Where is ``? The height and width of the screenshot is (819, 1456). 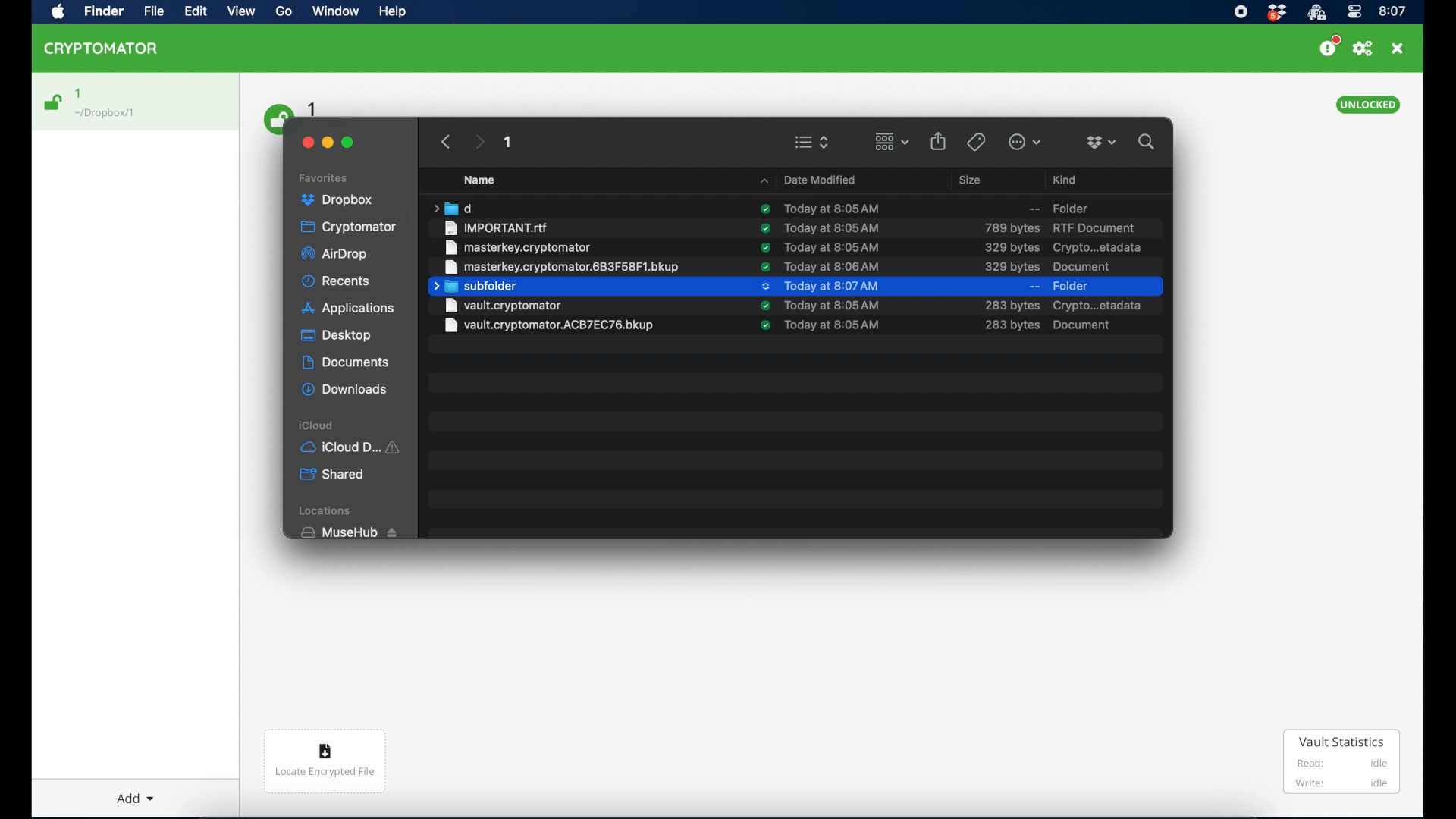
 is located at coordinates (765, 266).